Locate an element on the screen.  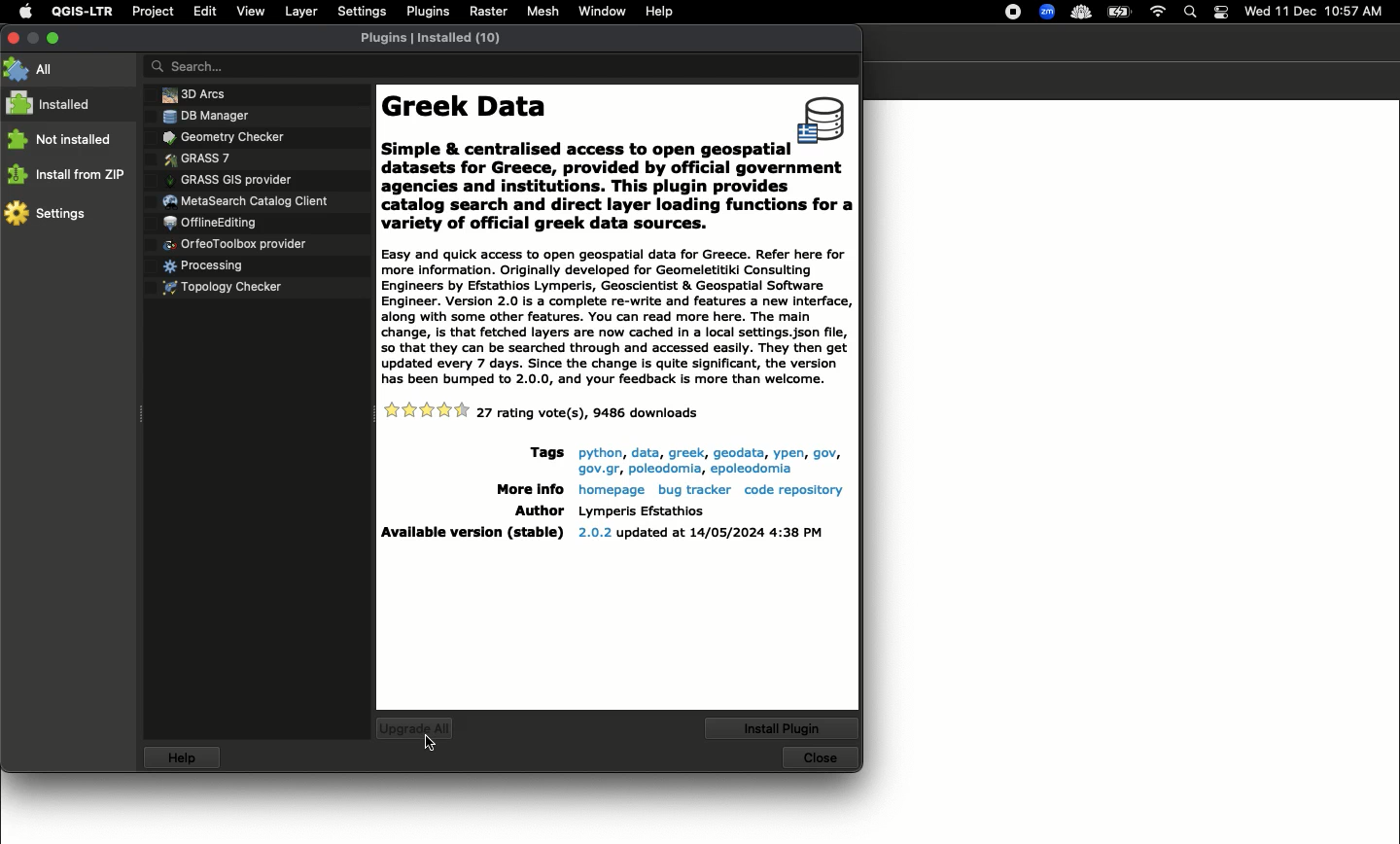
View is located at coordinates (251, 11).